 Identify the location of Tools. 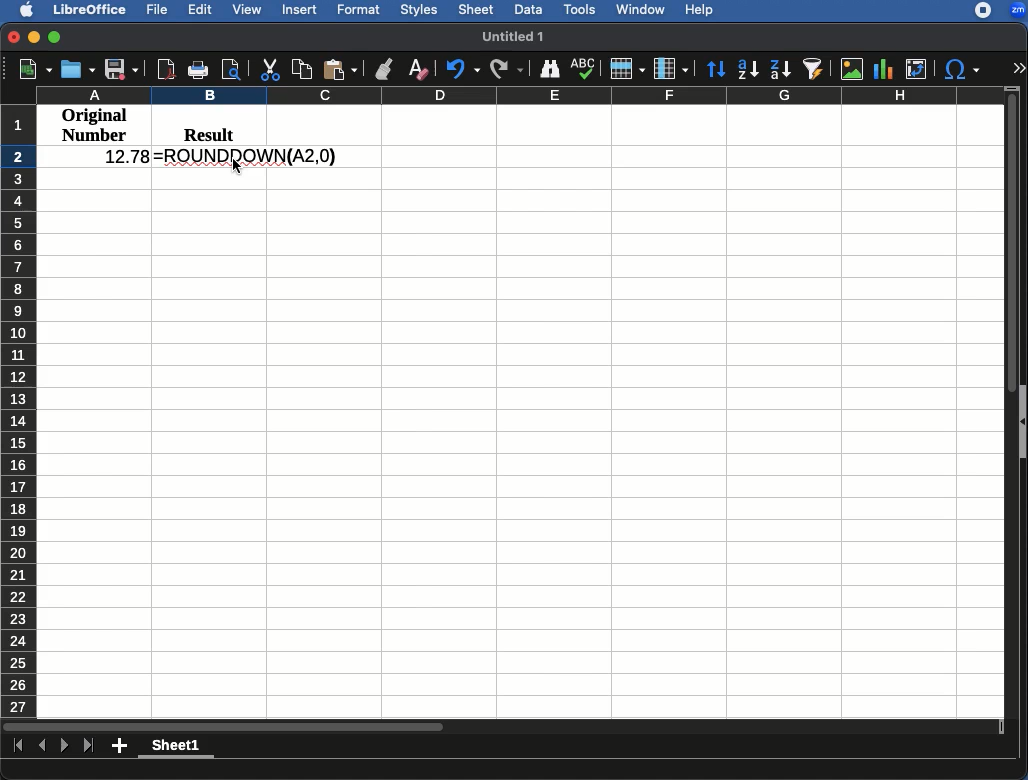
(580, 8).